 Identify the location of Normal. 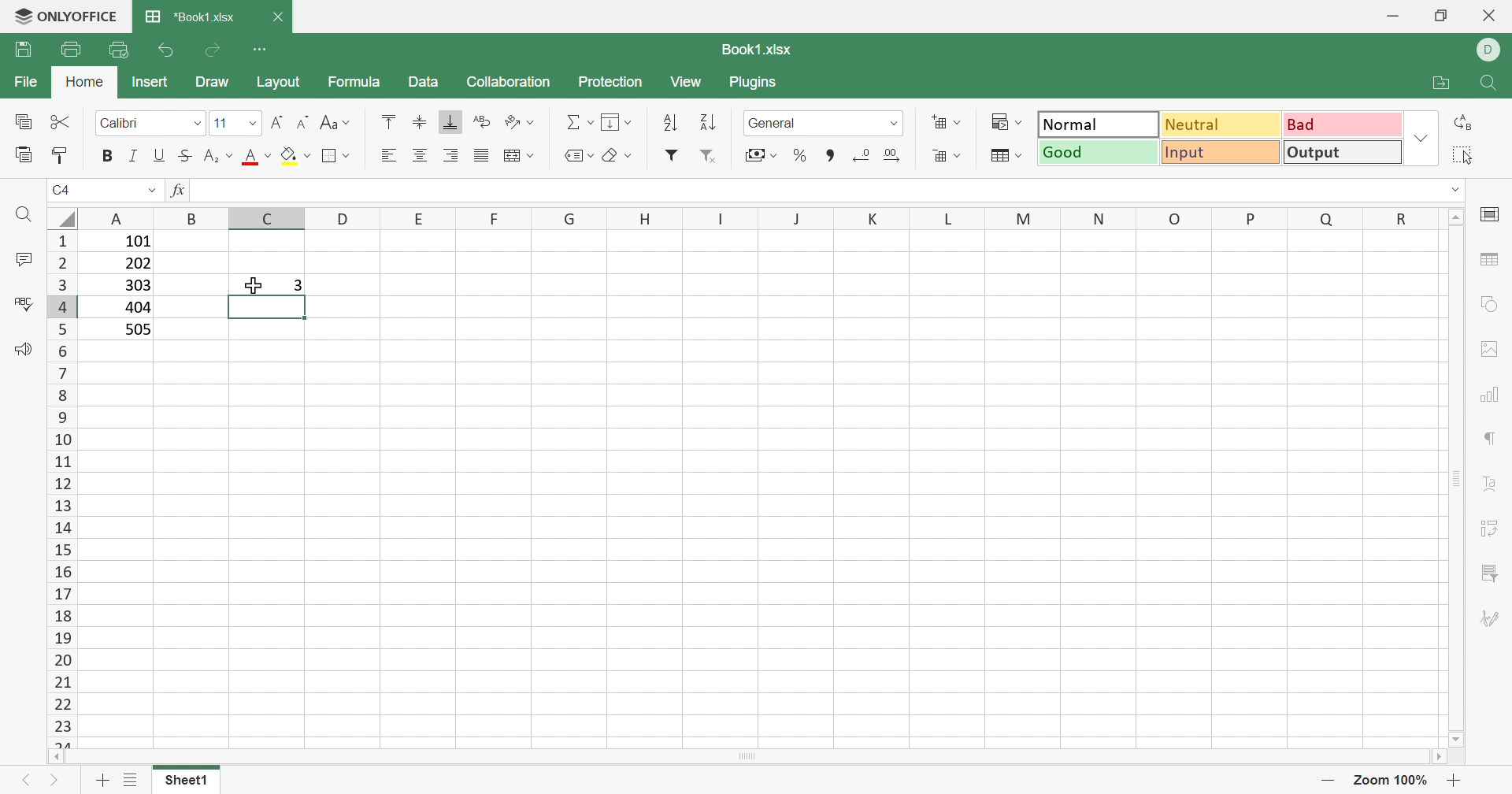
(1097, 123).